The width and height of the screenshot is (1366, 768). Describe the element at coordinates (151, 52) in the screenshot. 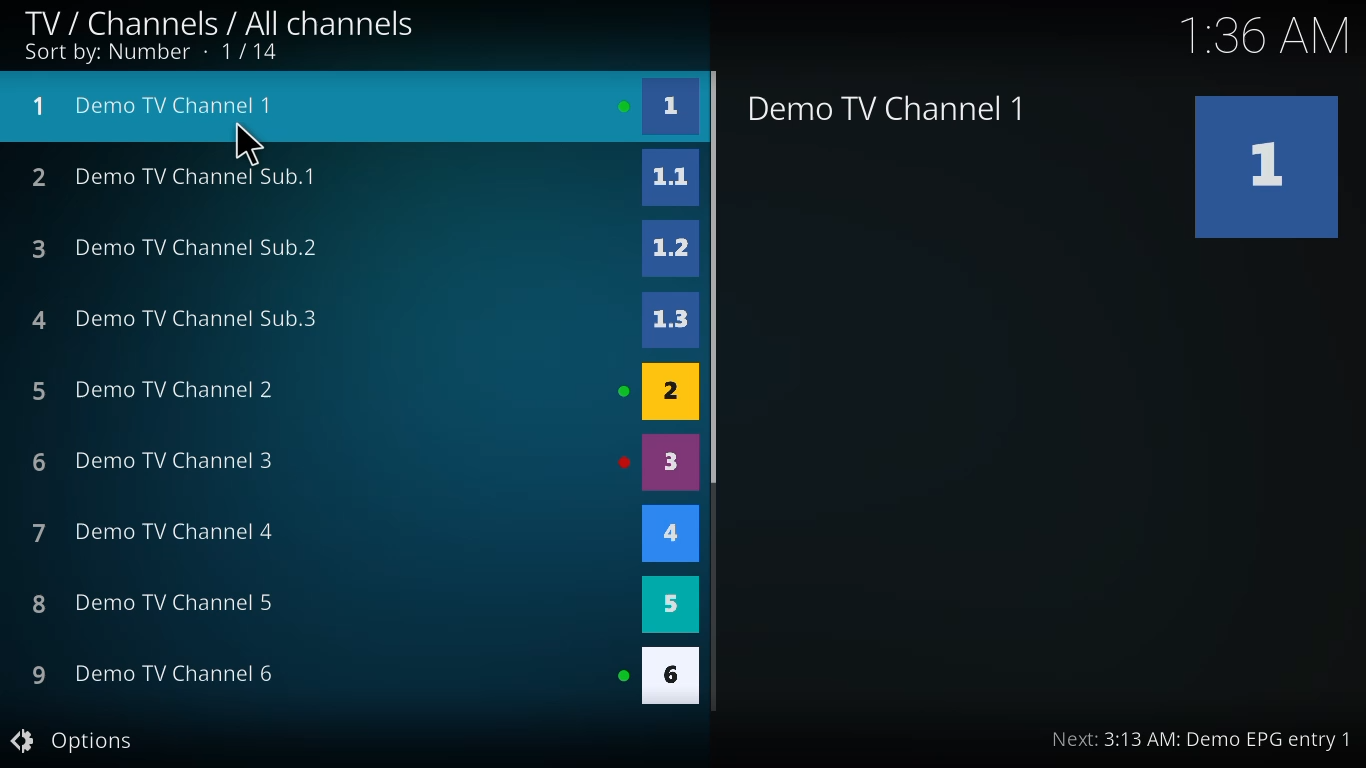

I see `sort by number` at that location.